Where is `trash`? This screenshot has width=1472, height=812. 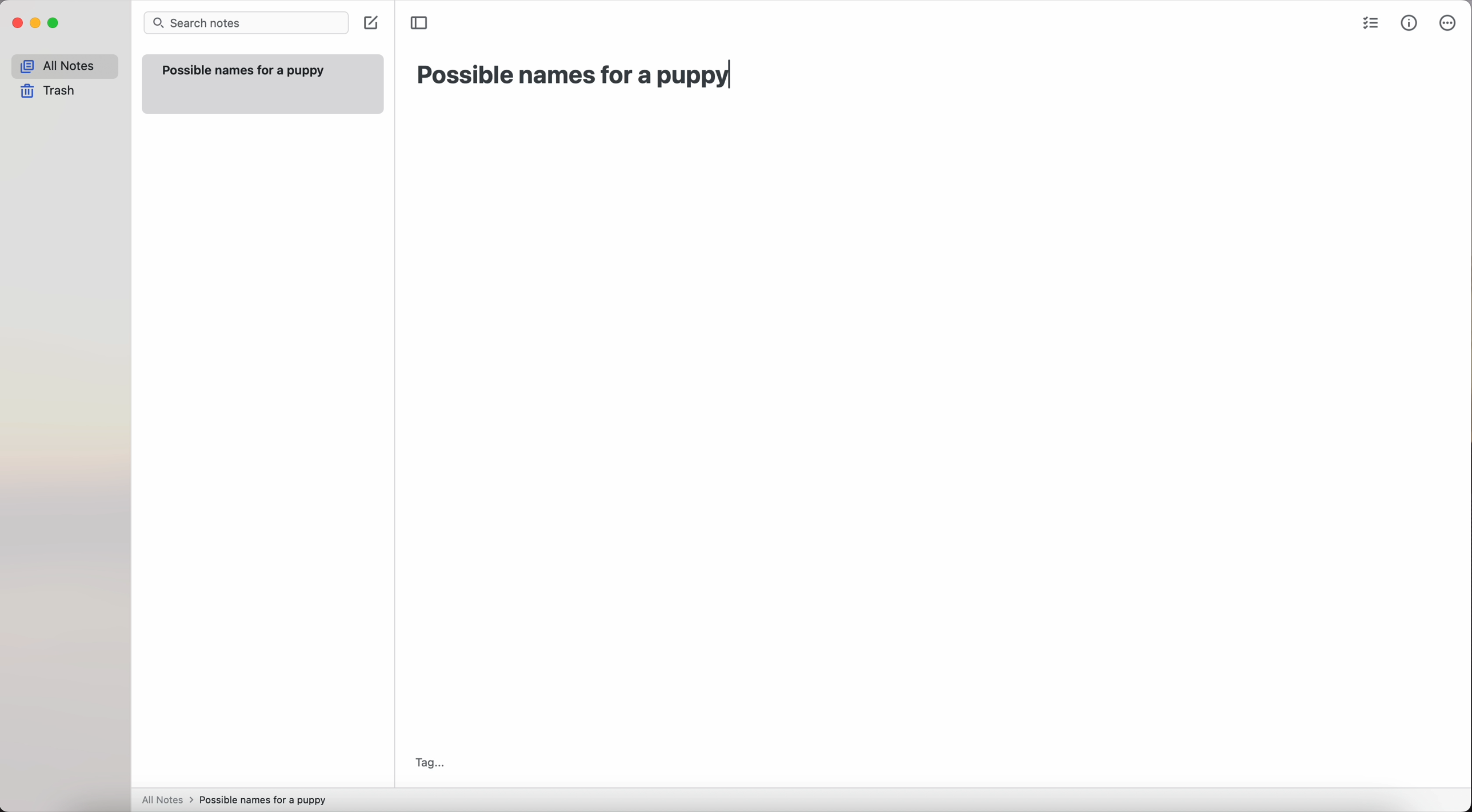
trash is located at coordinates (51, 91).